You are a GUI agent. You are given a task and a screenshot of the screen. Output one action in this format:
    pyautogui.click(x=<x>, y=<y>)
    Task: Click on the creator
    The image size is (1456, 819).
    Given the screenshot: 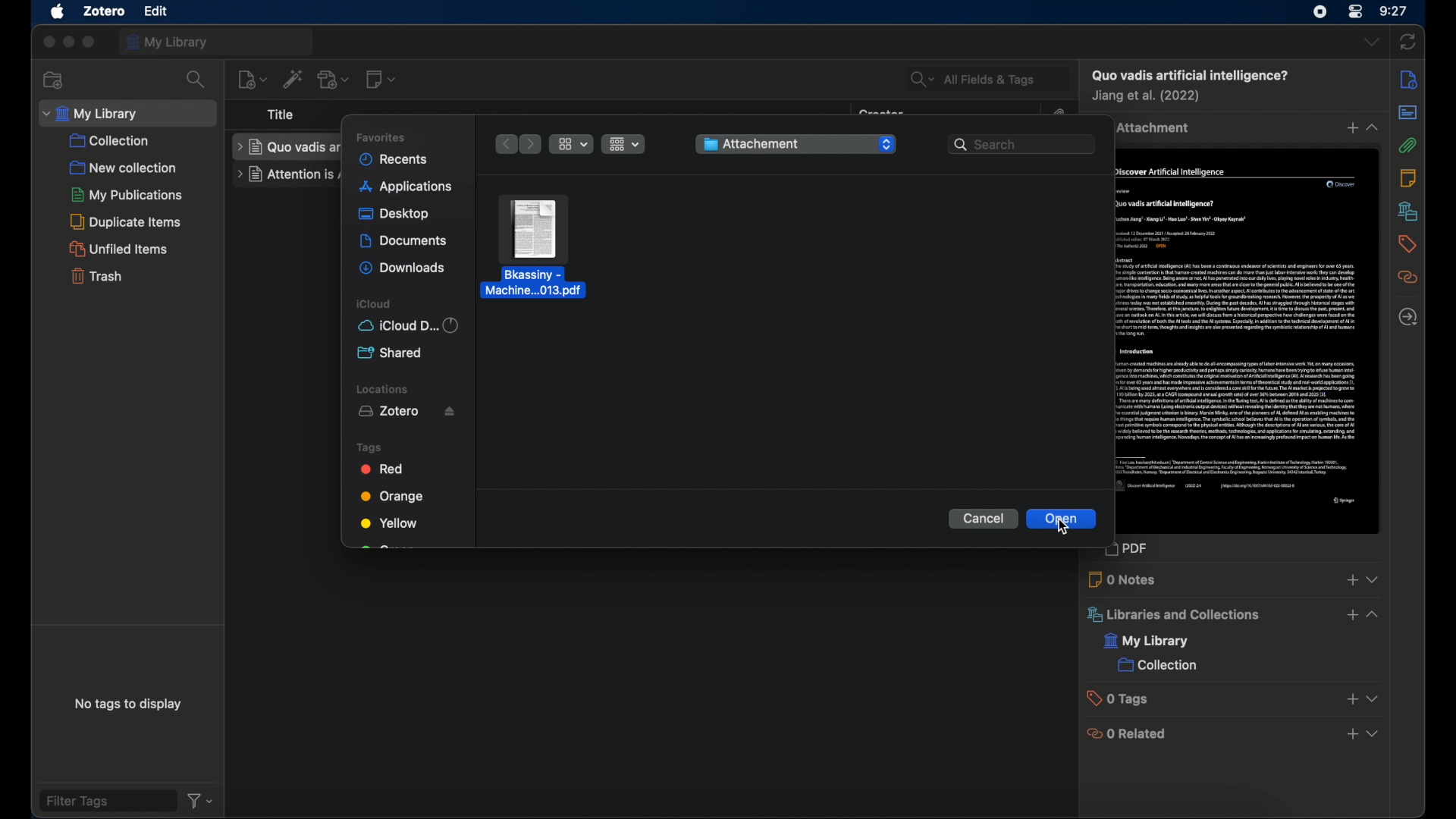 What is the action you would take?
    pyautogui.click(x=1148, y=97)
    